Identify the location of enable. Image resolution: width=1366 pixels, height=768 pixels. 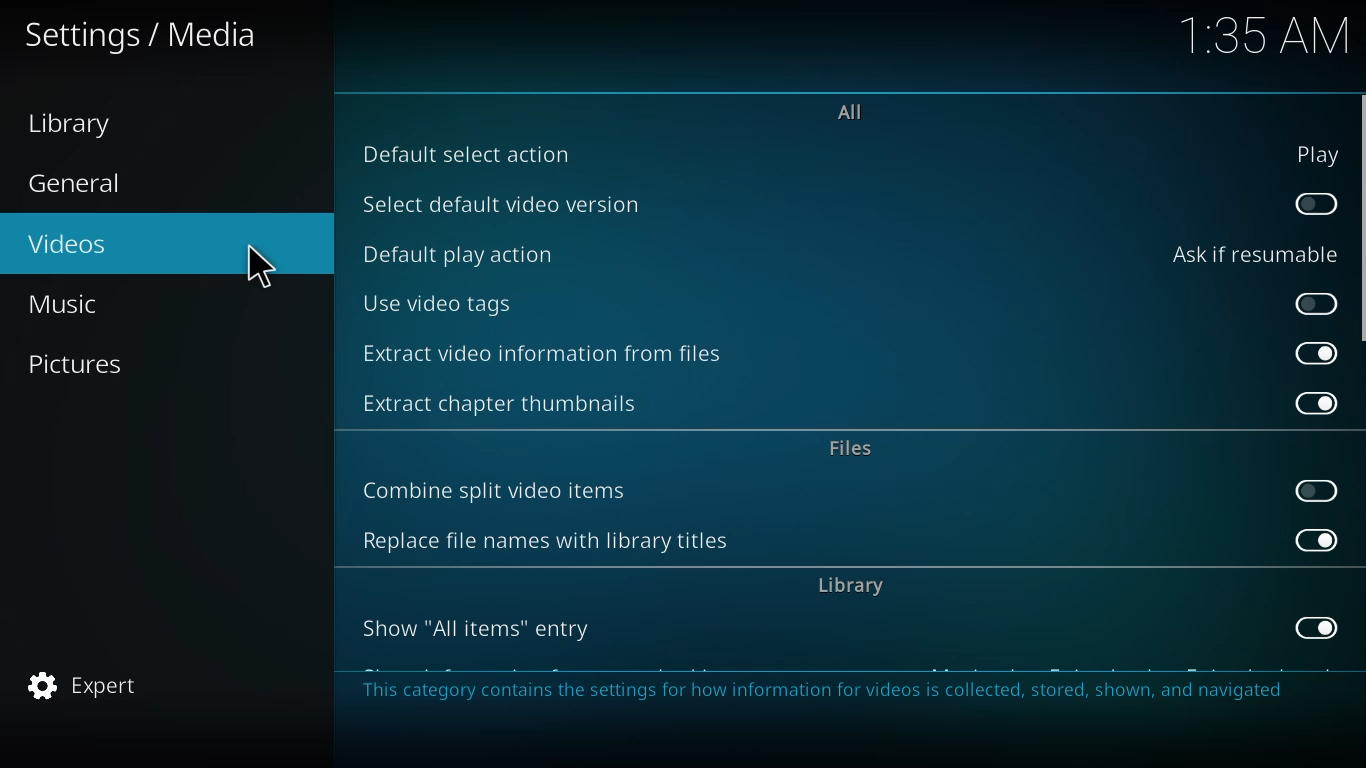
(1318, 204).